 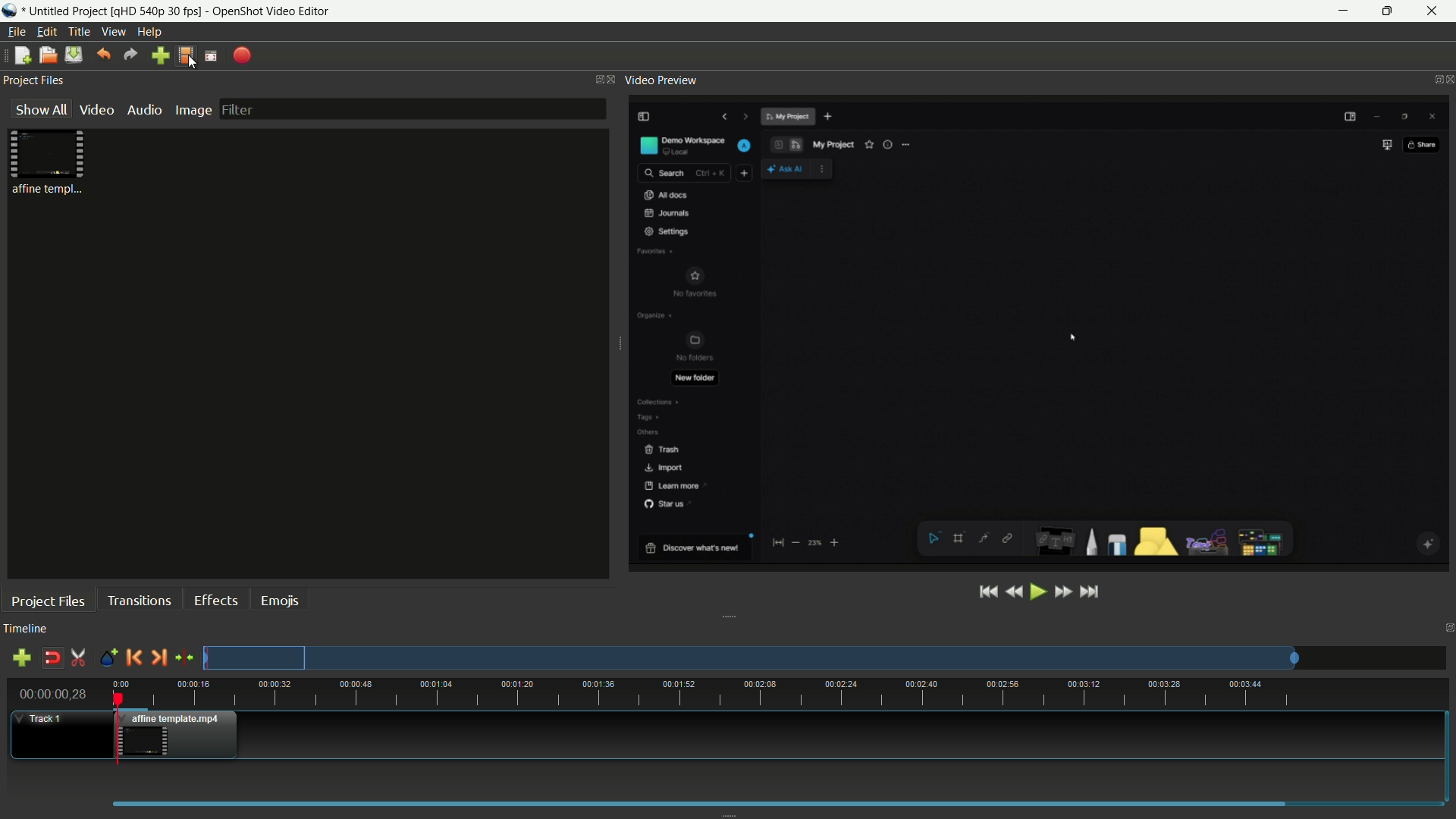 What do you see at coordinates (612, 80) in the screenshot?
I see `close project files` at bounding box center [612, 80].